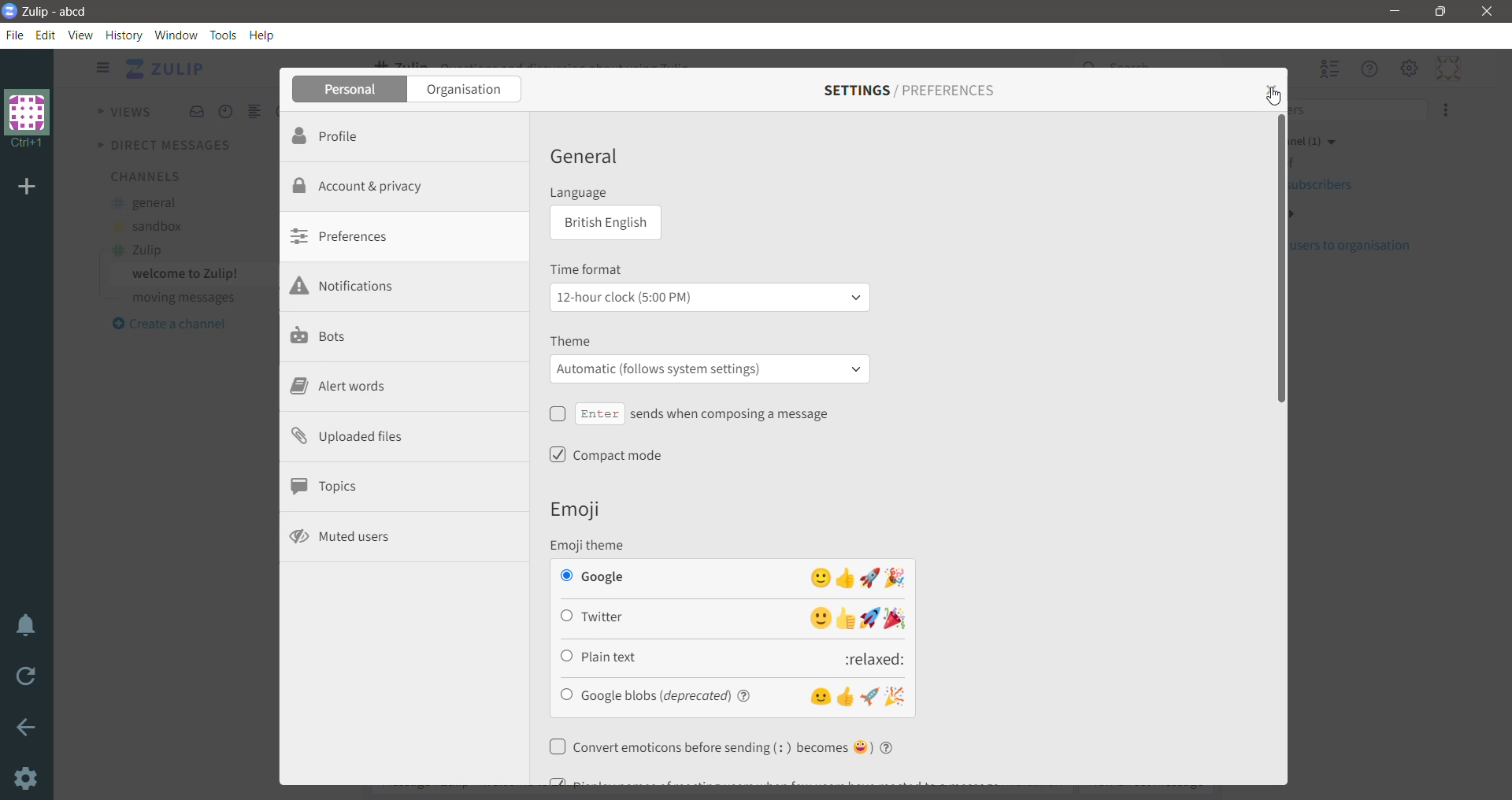 This screenshot has height=800, width=1512. Describe the element at coordinates (46, 35) in the screenshot. I see `Edit` at that location.